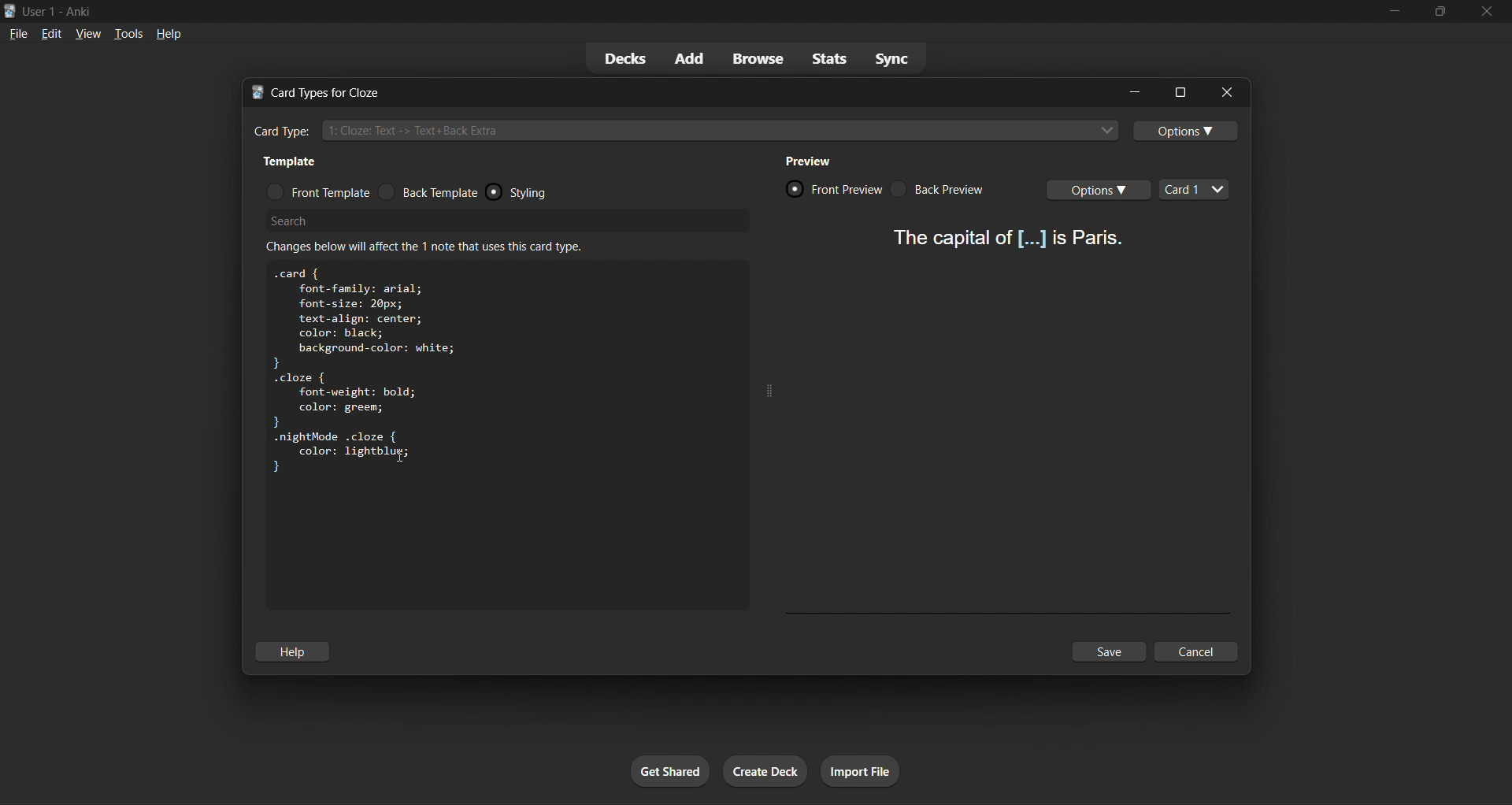  What do you see at coordinates (294, 652) in the screenshot?
I see `help` at bounding box center [294, 652].